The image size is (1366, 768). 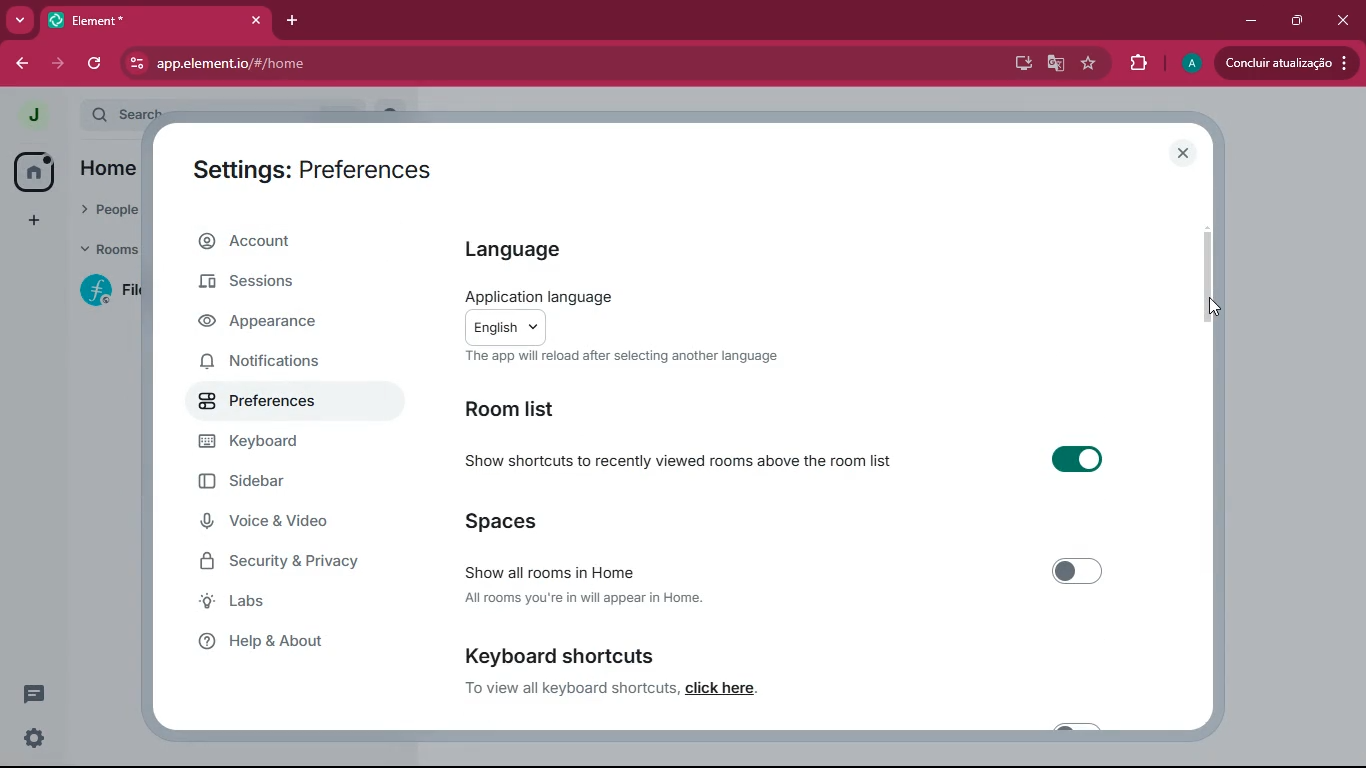 What do you see at coordinates (268, 482) in the screenshot?
I see `sidebar` at bounding box center [268, 482].